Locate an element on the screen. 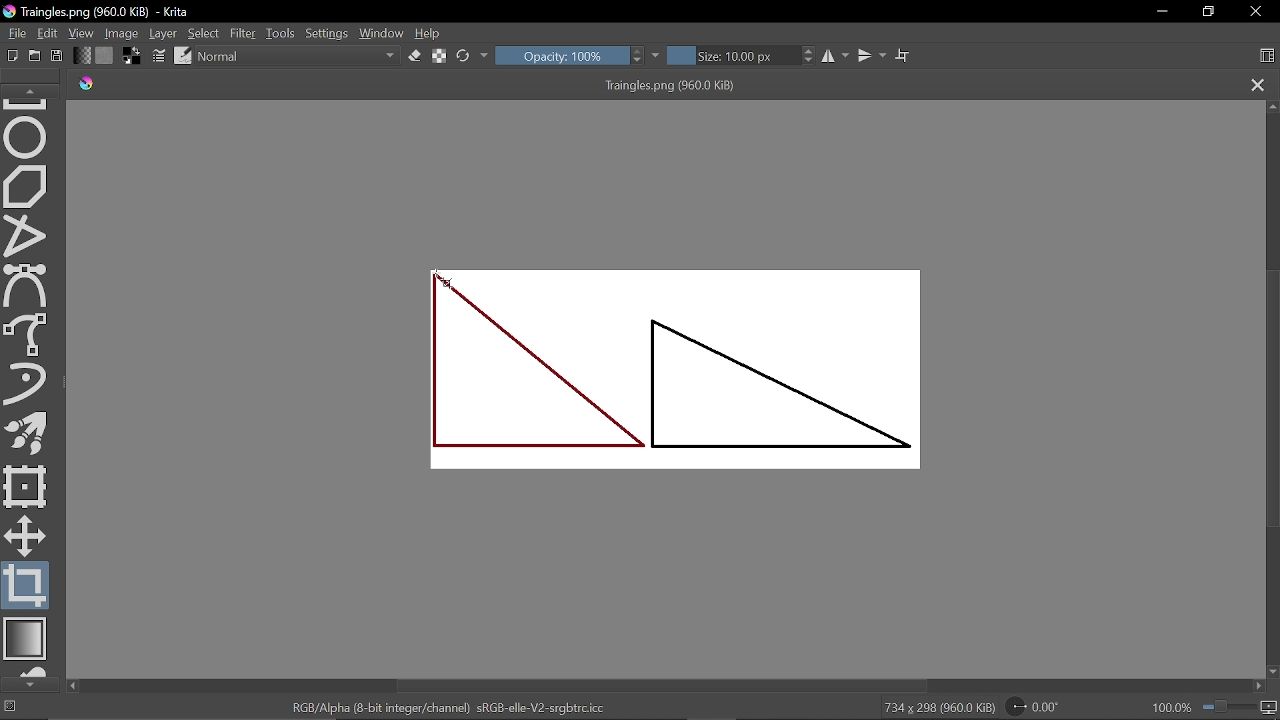 This screenshot has height=720, width=1280. Cursor is located at coordinates (451, 285).